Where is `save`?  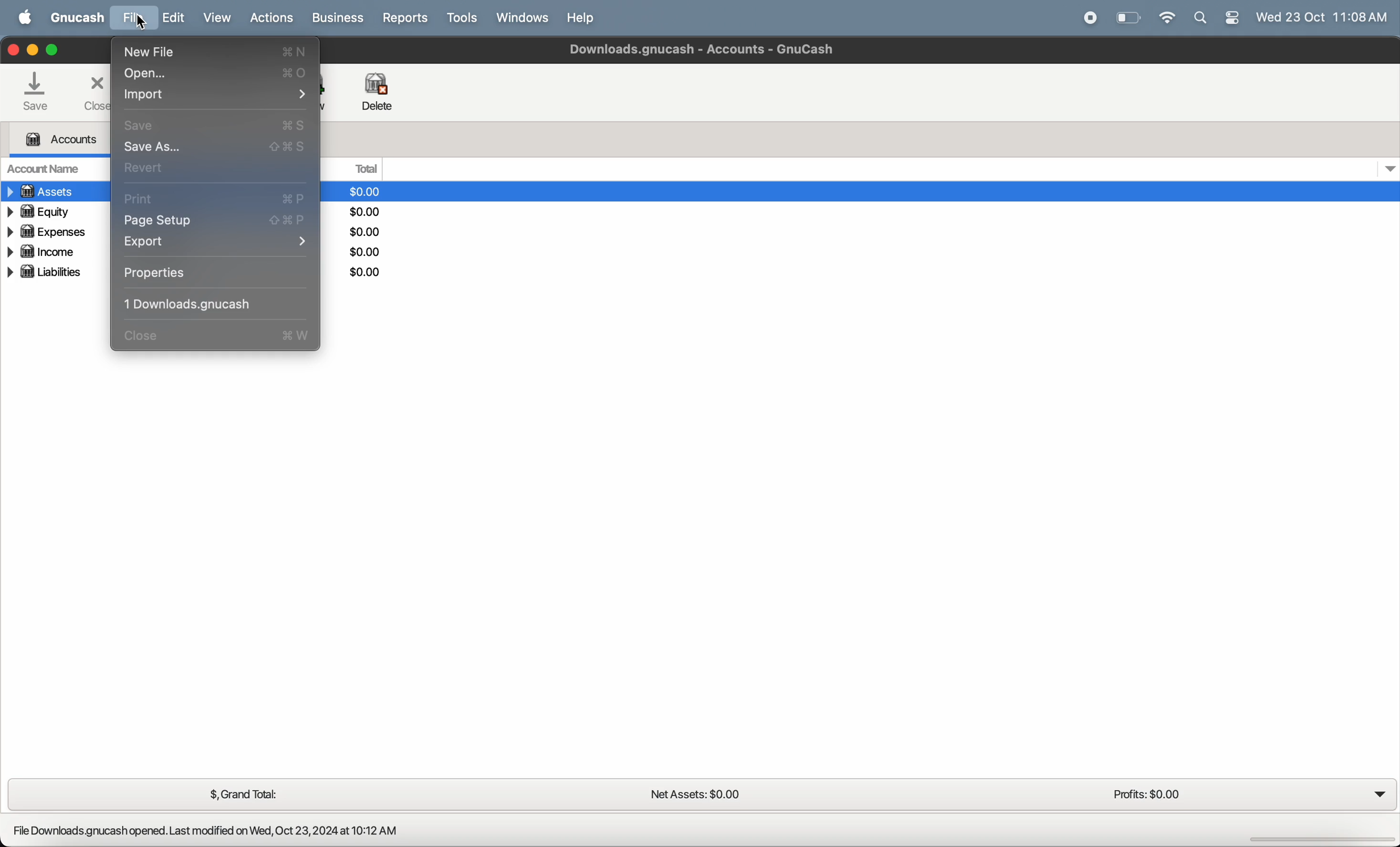 save is located at coordinates (220, 126).